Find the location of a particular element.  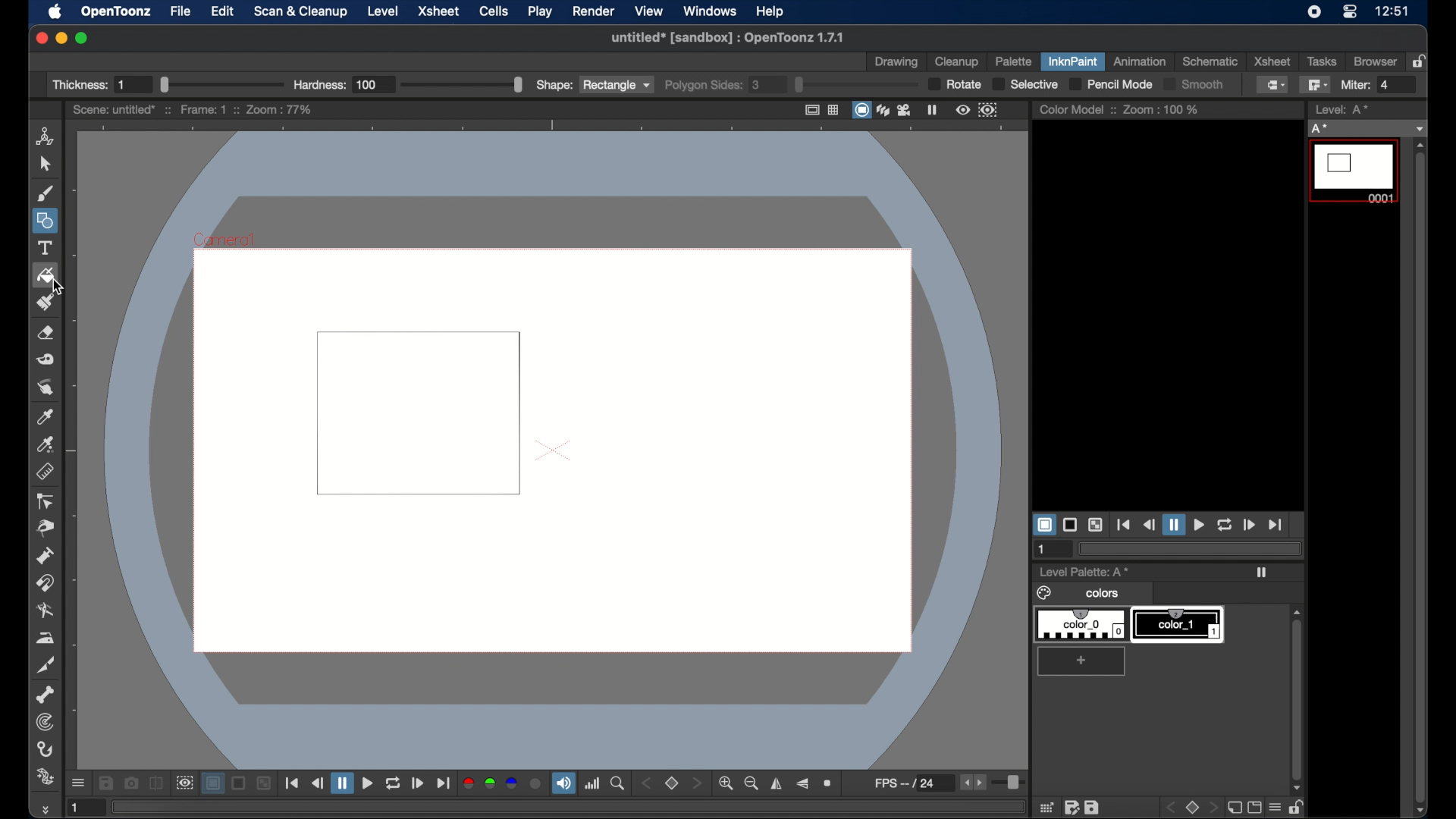

slider is located at coordinates (1011, 784).